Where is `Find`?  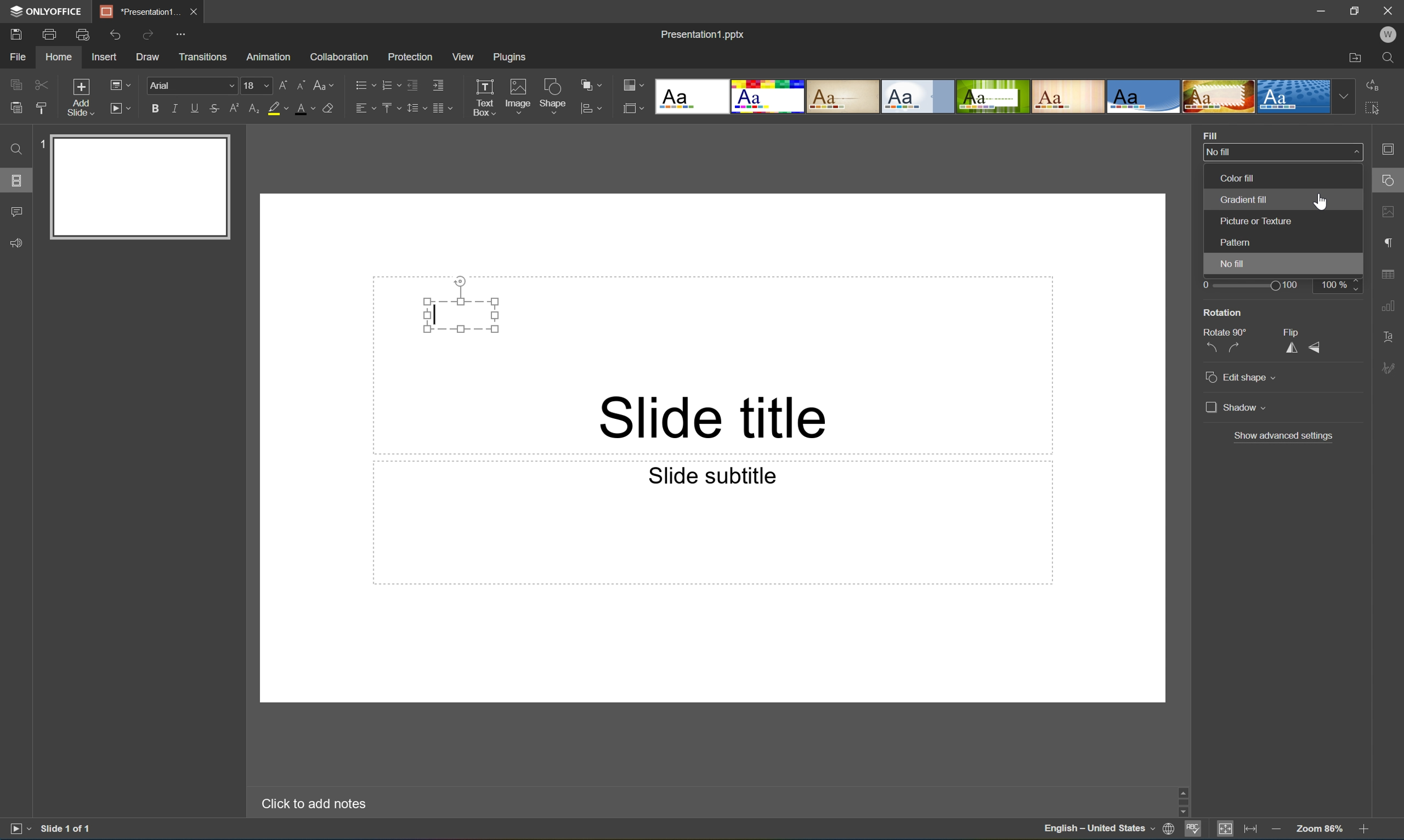 Find is located at coordinates (1393, 58).